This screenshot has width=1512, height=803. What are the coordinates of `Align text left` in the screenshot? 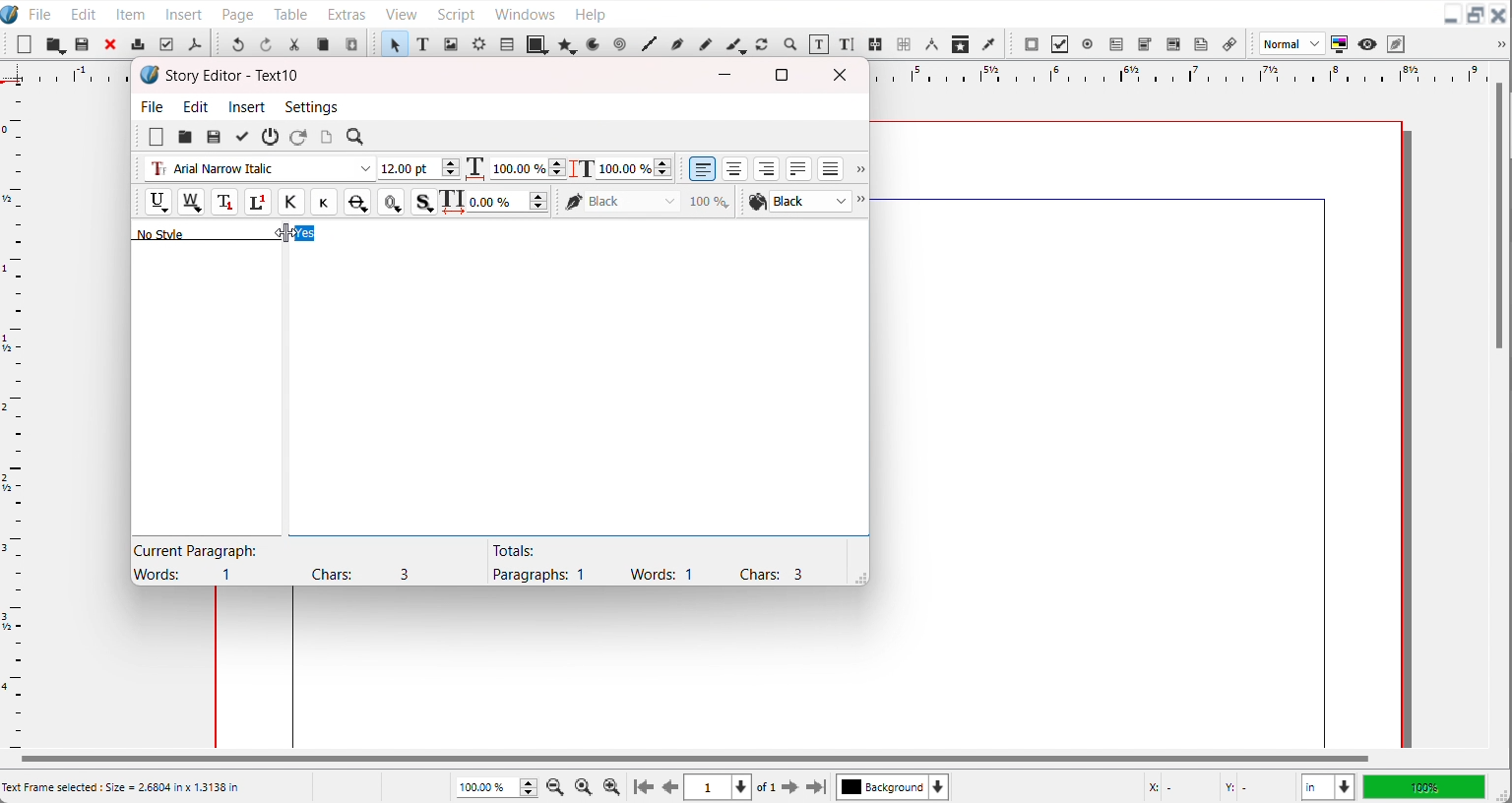 It's located at (703, 168).